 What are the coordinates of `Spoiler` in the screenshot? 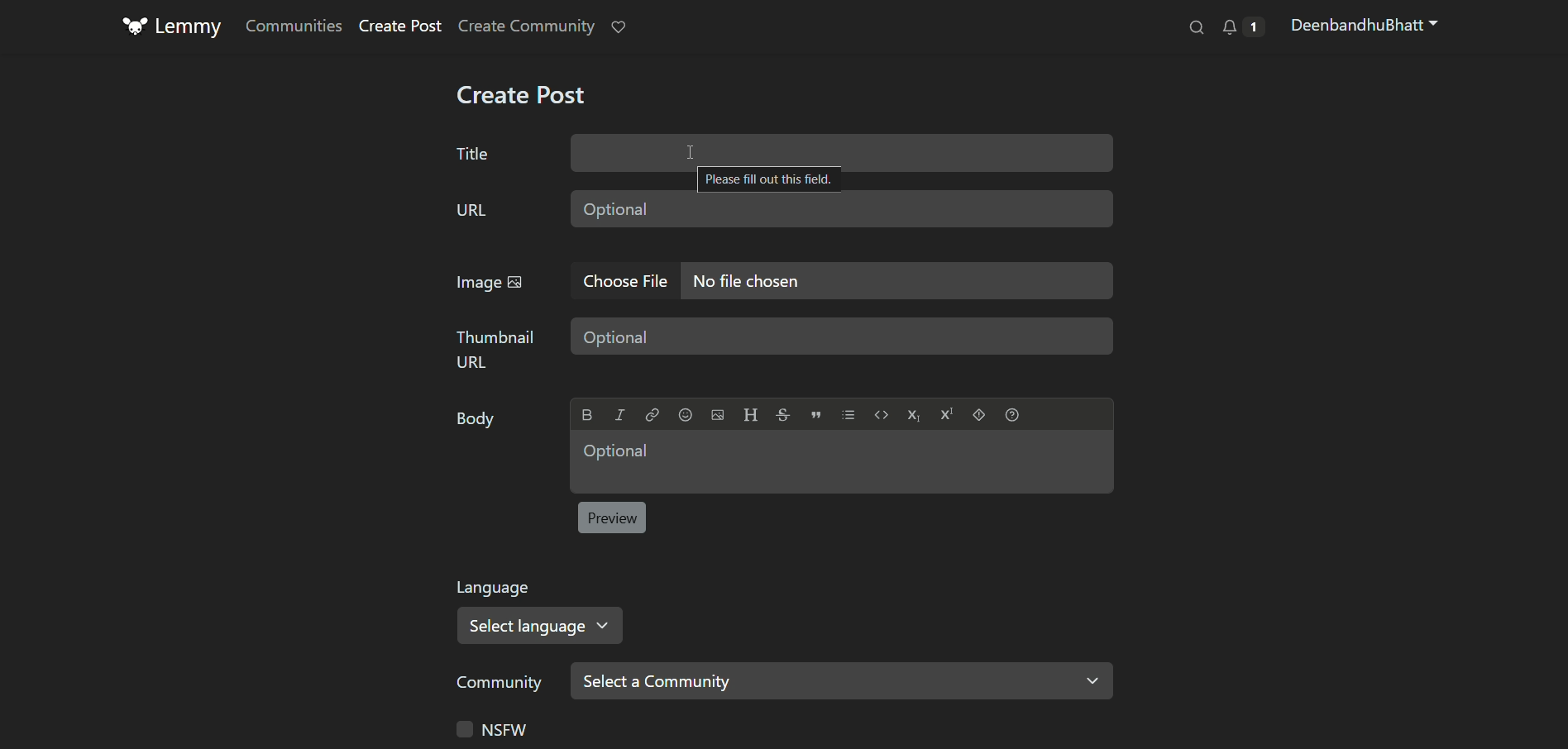 It's located at (979, 414).